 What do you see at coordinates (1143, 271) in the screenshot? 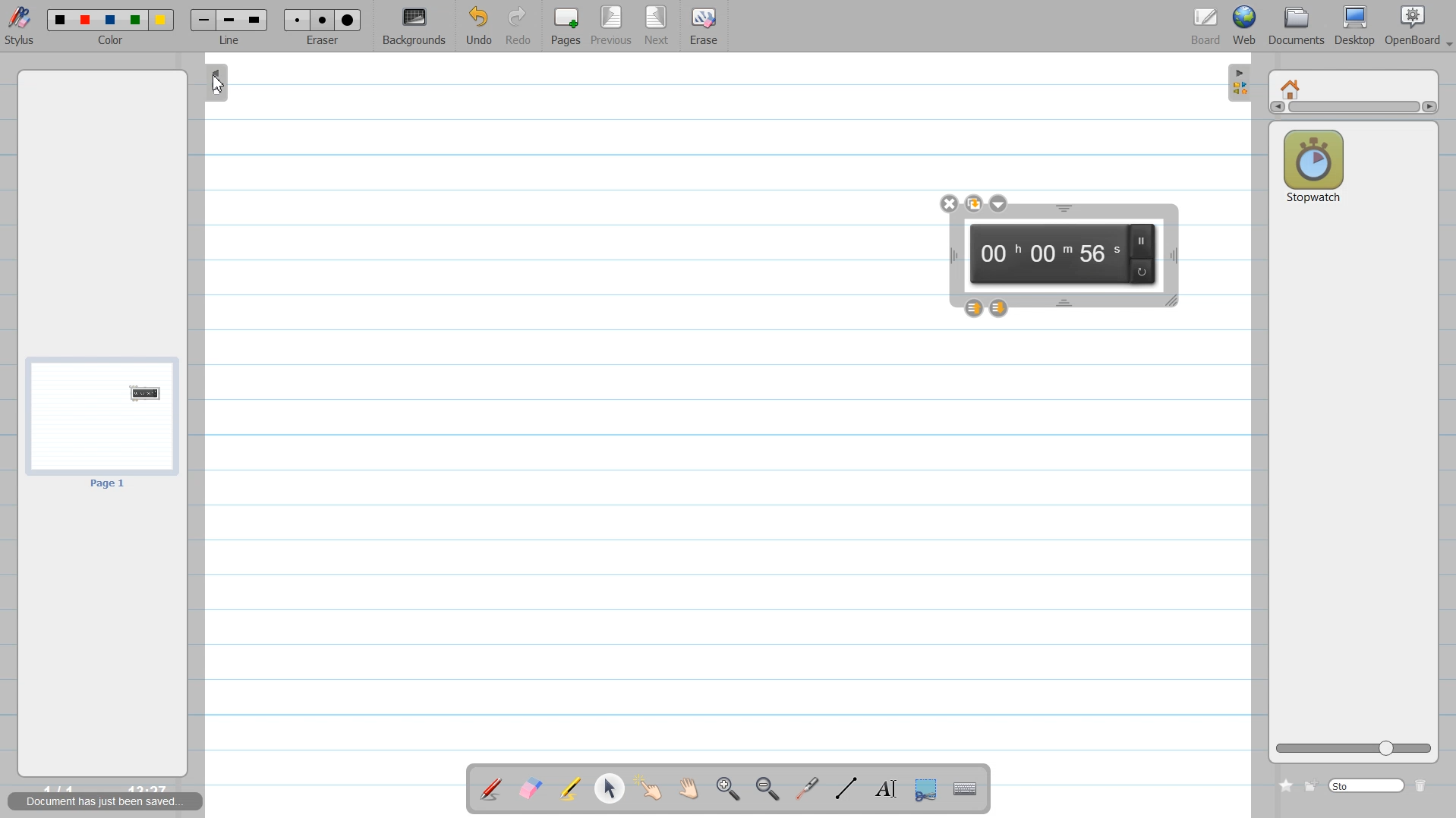
I see `reload` at bounding box center [1143, 271].